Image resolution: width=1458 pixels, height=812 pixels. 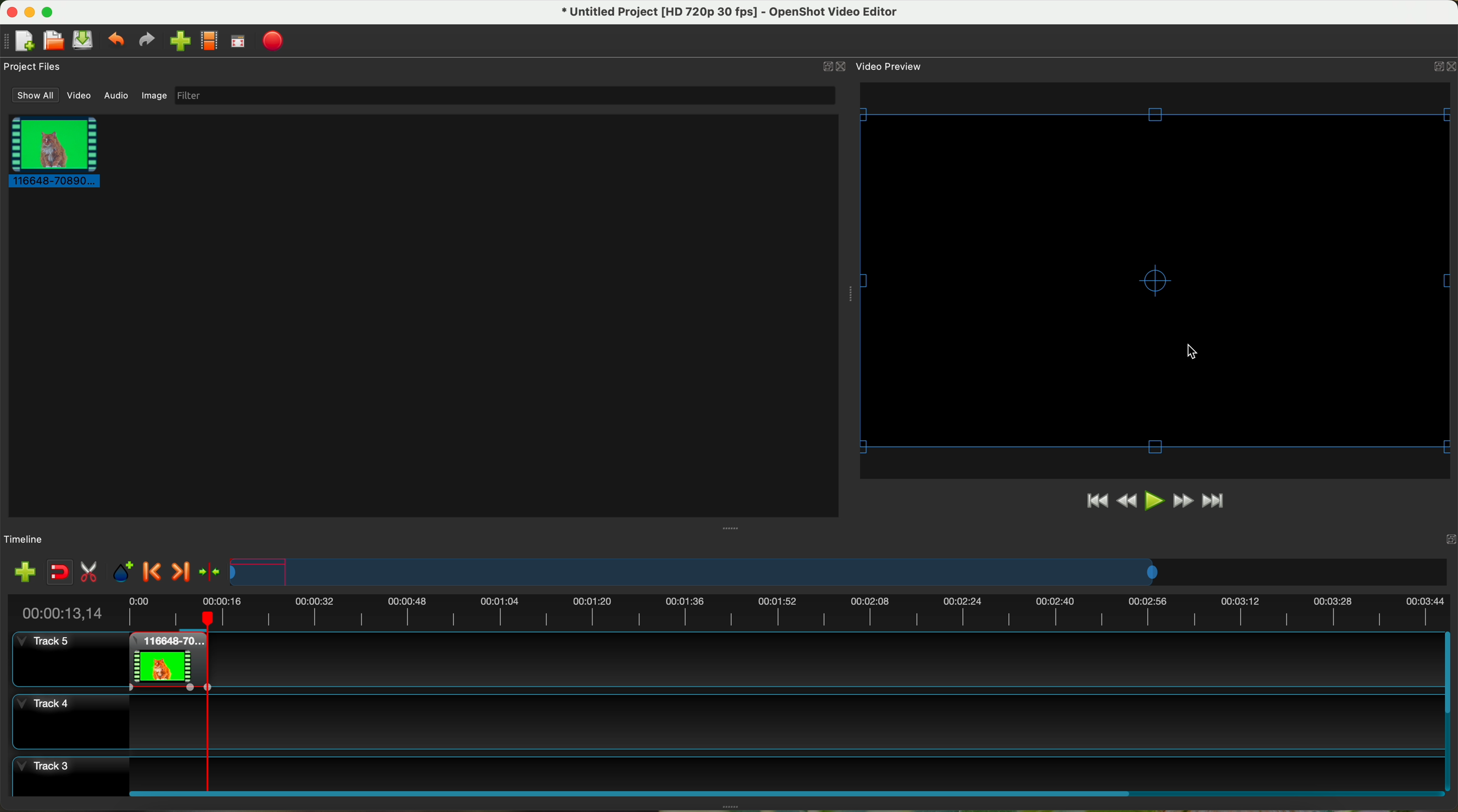 What do you see at coordinates (153, 572) in the screenshot?
I see `previous marker` at bounding box center [153, 572].